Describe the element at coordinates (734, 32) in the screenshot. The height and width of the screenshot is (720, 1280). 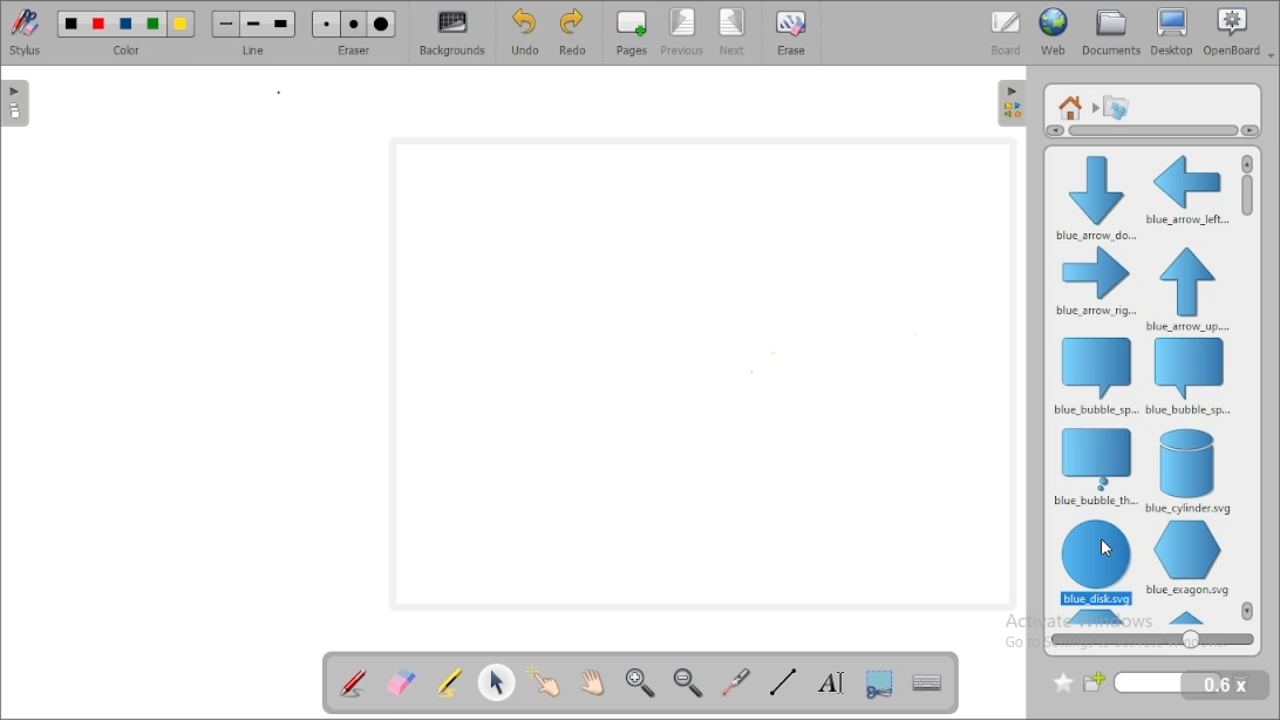
I see `next` at that location.